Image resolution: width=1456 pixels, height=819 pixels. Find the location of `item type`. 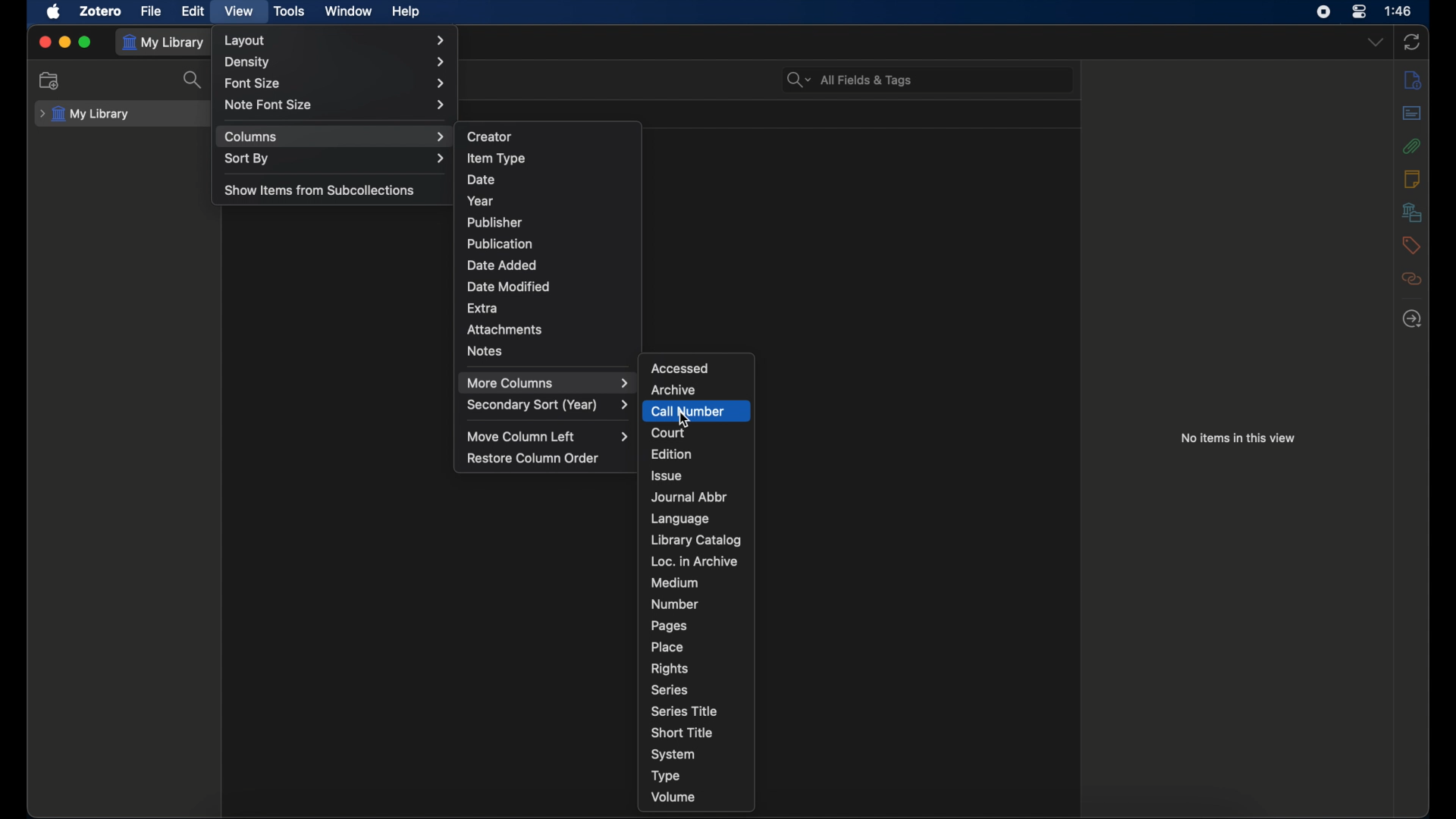

item type is located at coordinates (495, 158).